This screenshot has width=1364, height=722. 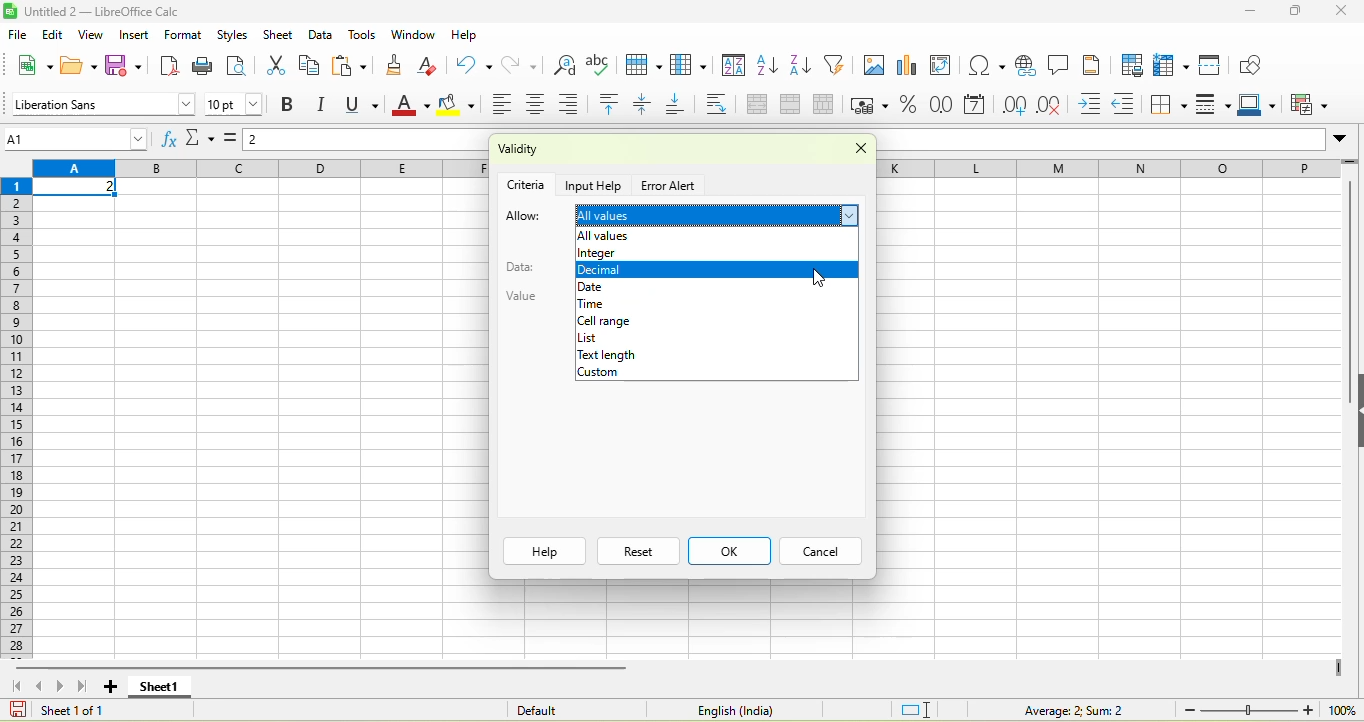 I want to click on row, so click(x=646, y=65).